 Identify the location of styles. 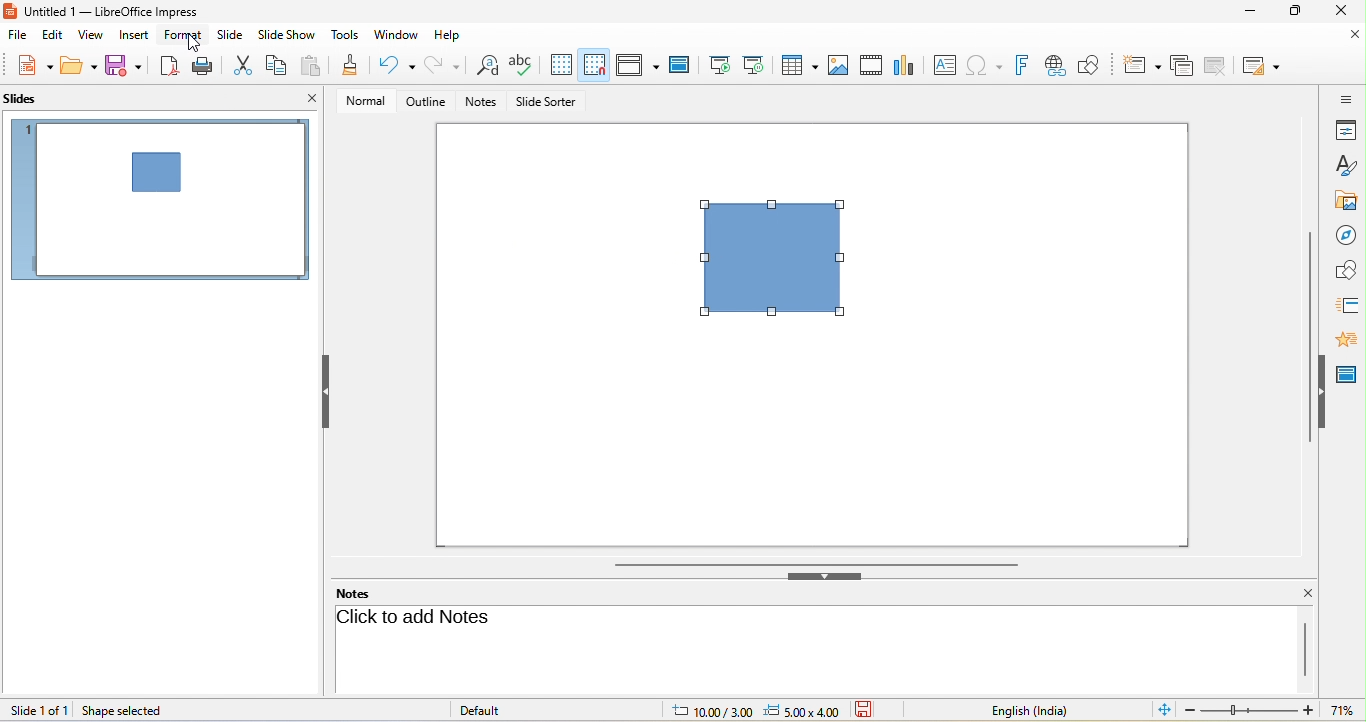
(1345, 164).